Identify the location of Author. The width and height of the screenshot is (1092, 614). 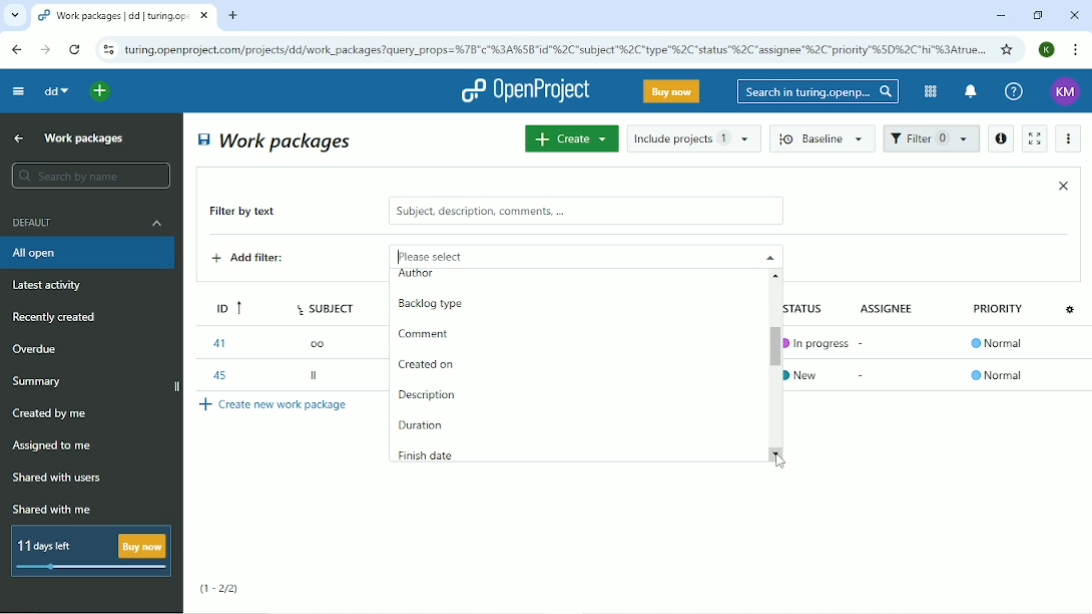
(416, 275).